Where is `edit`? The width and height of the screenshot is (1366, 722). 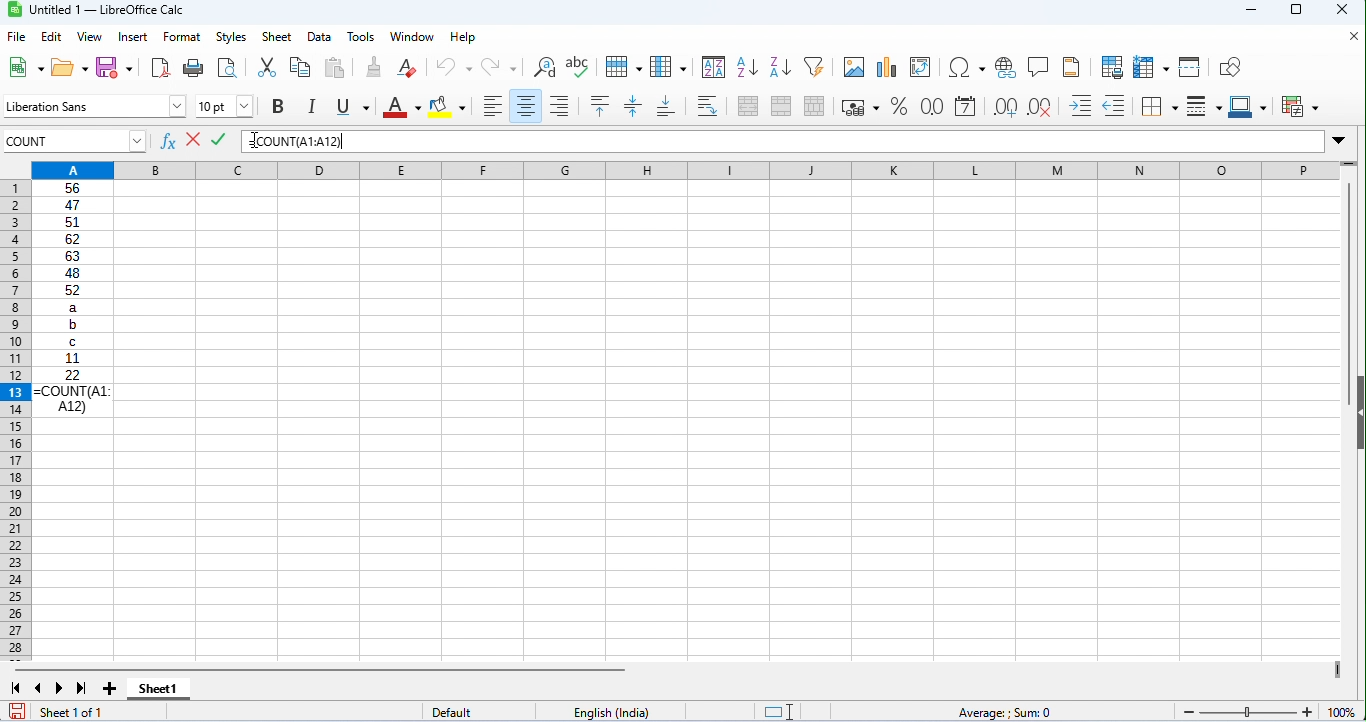
edit is located at coordinates (51, 36).